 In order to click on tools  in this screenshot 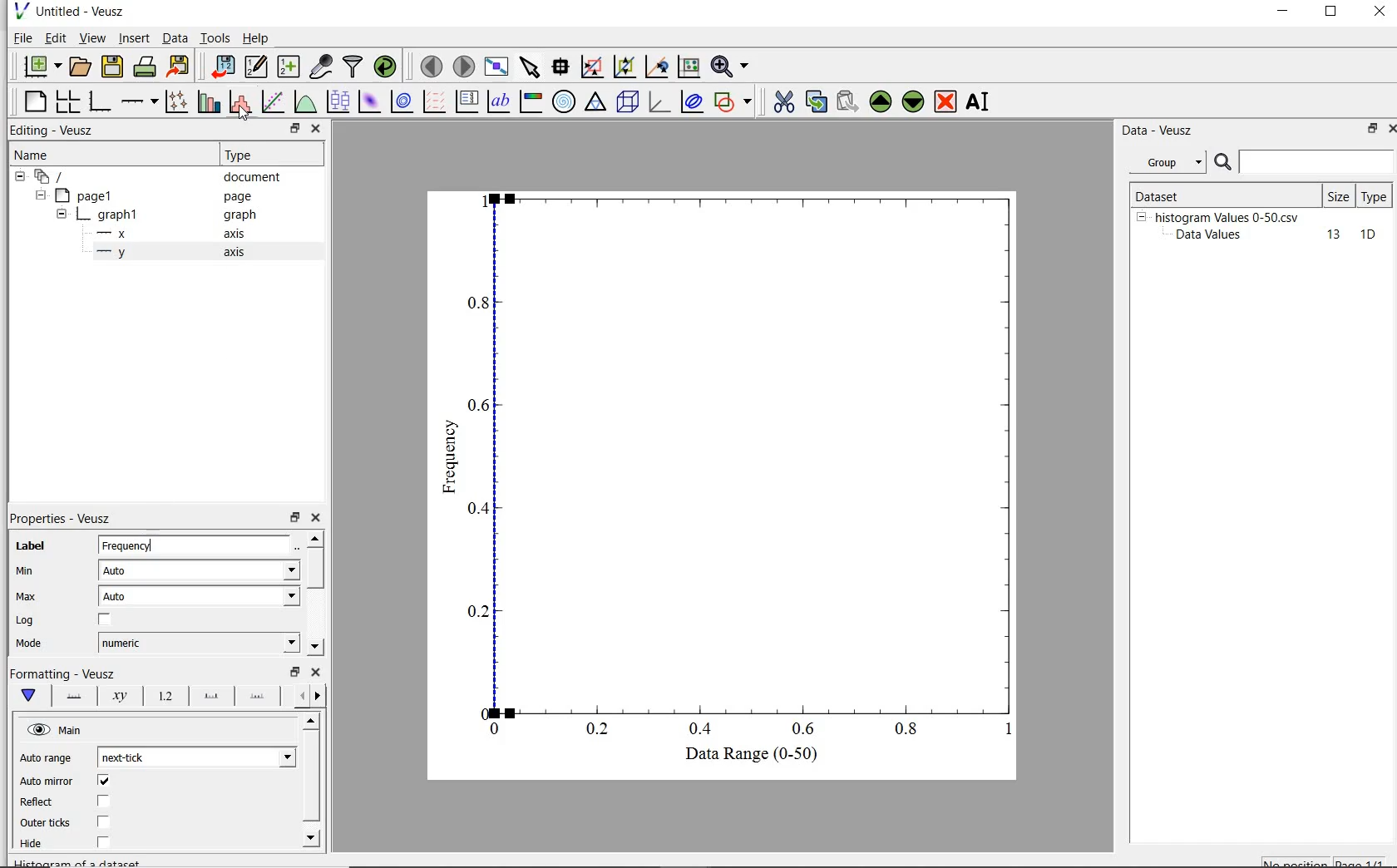, I will do `click(216, 37)`.